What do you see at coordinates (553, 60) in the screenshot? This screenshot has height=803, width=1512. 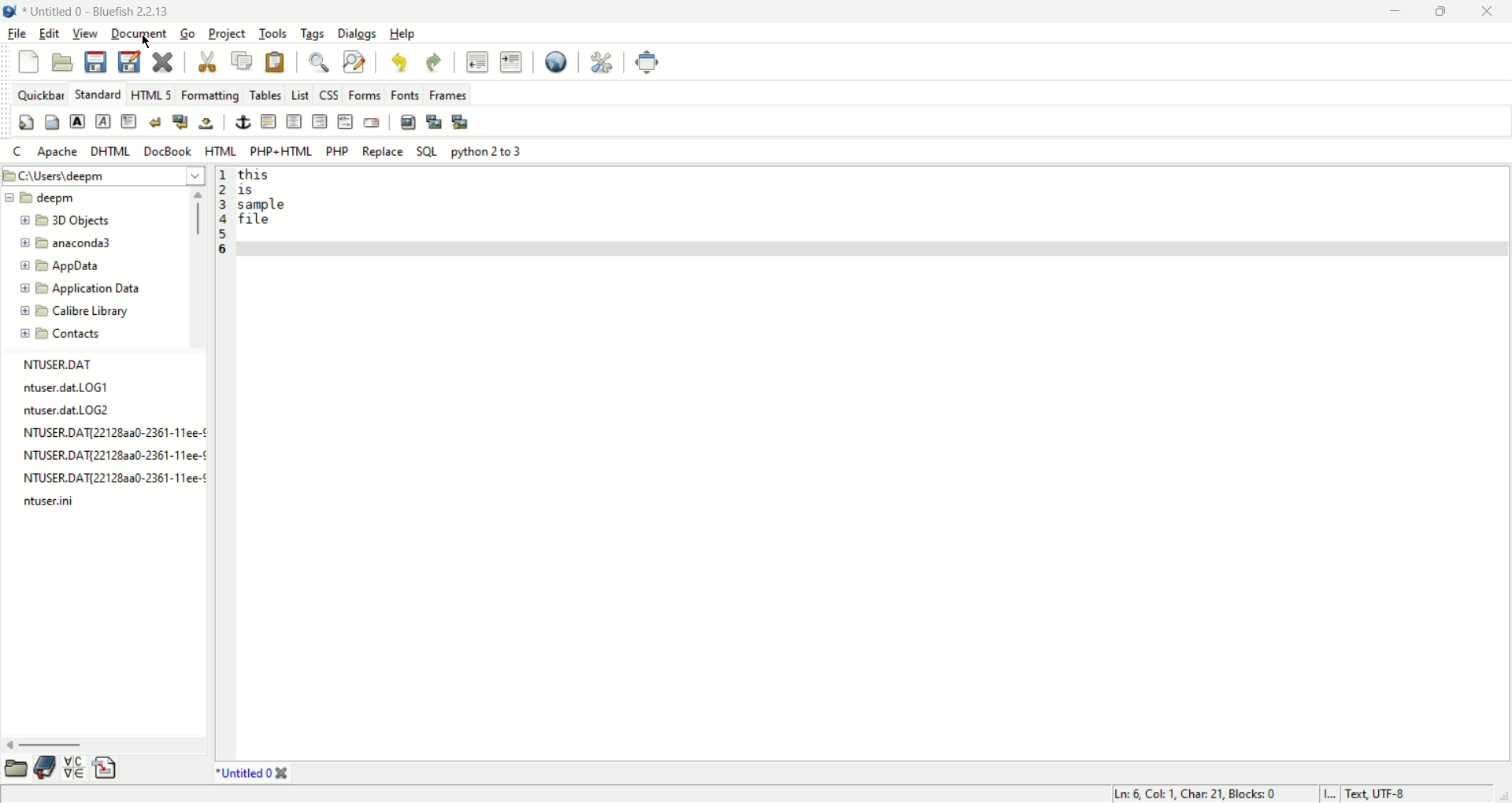 I see `preview in browser` at bounding box center [553, 60].